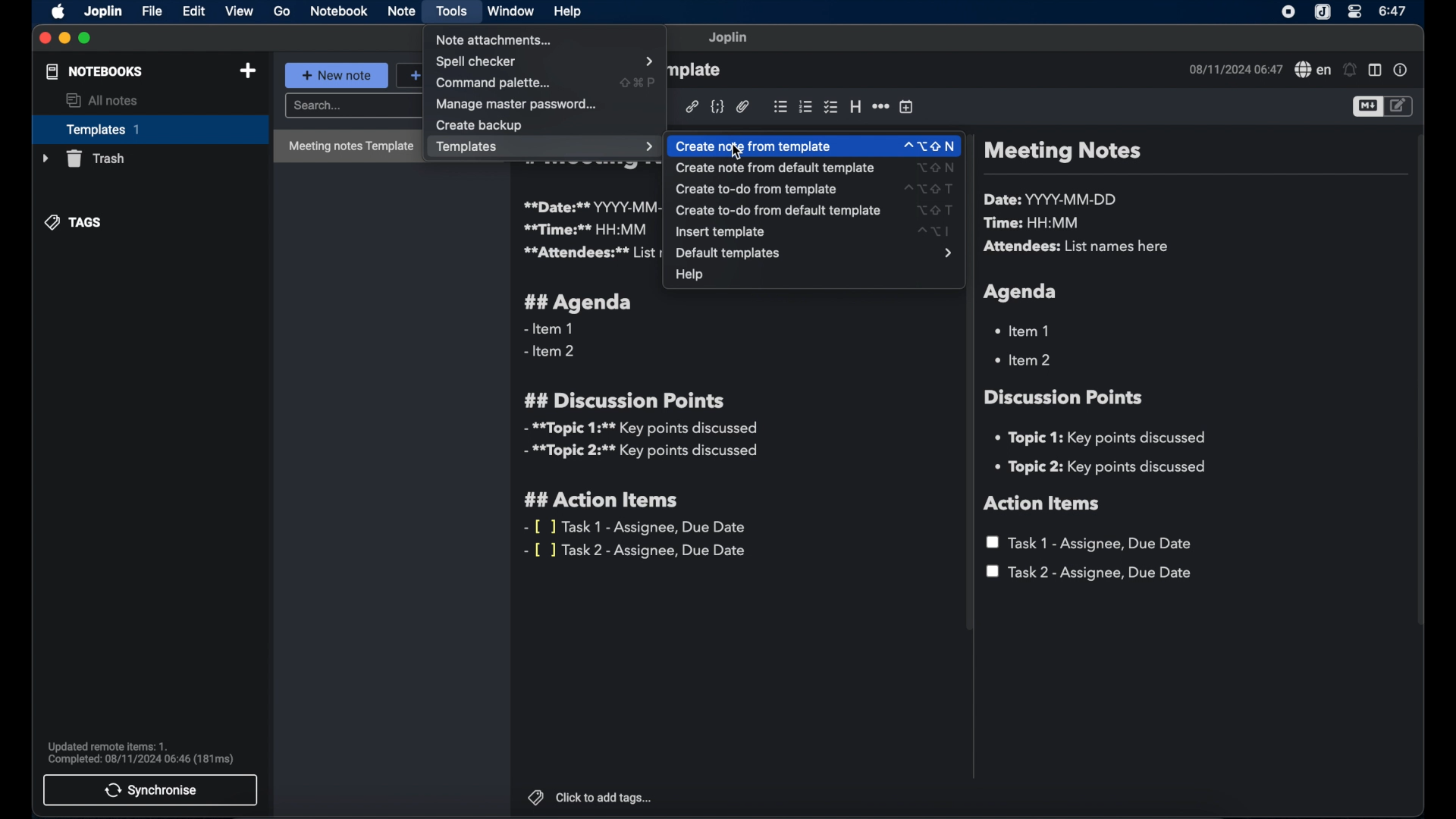 The image size is (1456, 819). What do you see at coordinates (906, 107) in the screenshot?
I see `insert time` at bounding box center [906, 107].